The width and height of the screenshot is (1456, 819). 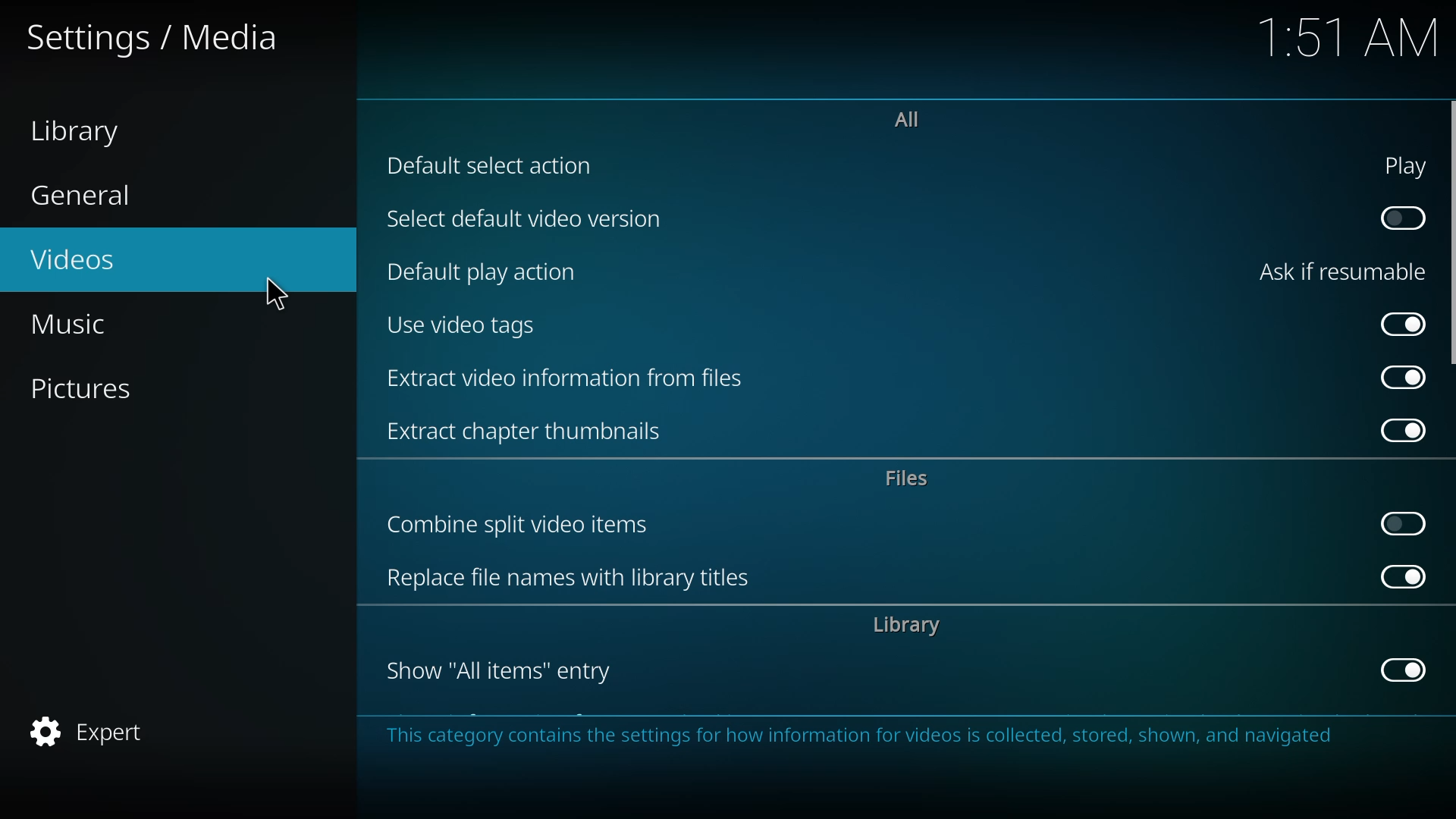 What do you see at coordinates (569, 377) in the screenshot?
I see `extract video information from files` at bounding box center [569, 377].